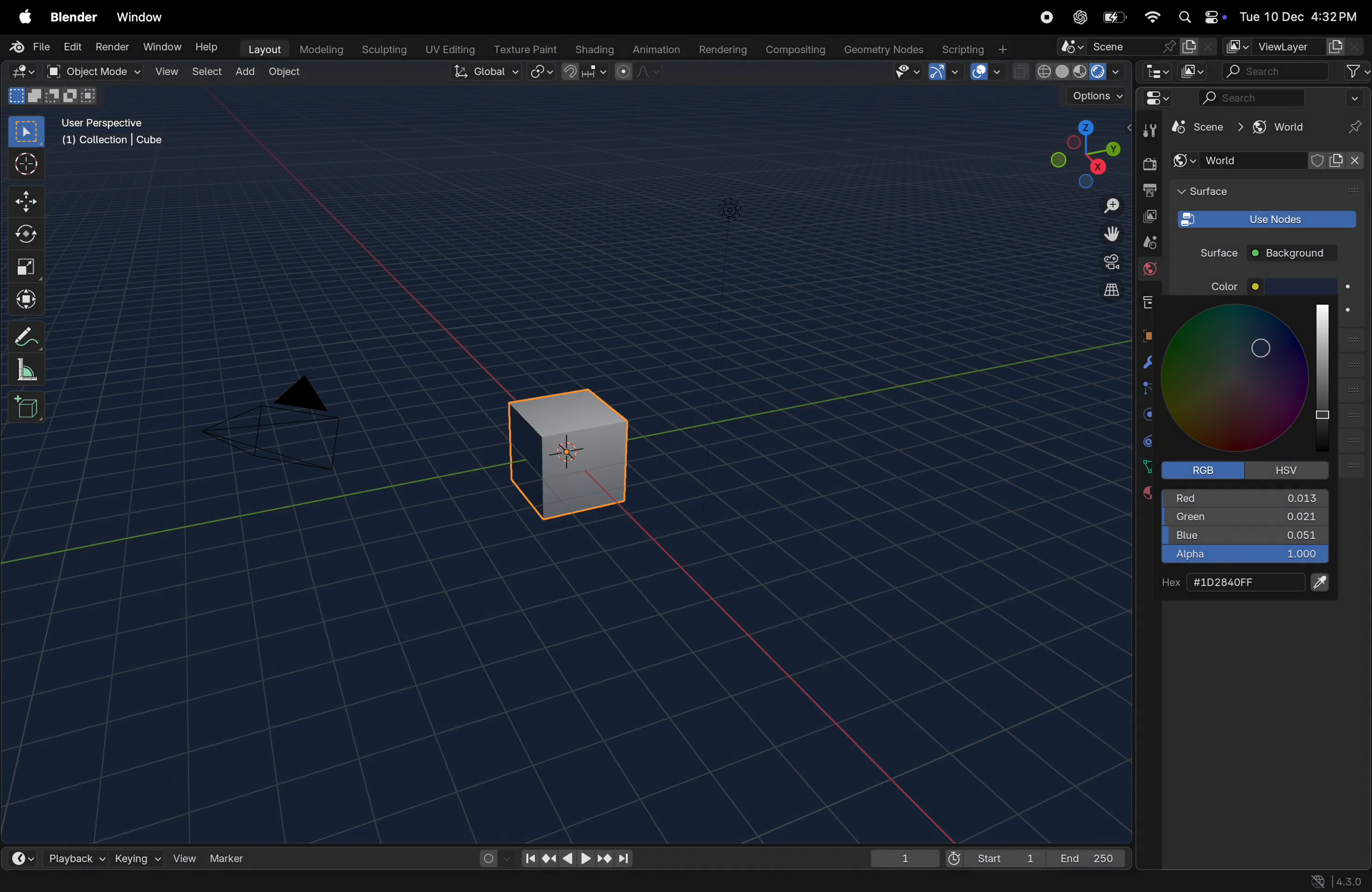  I want to click on camera, so click(1105, 263).